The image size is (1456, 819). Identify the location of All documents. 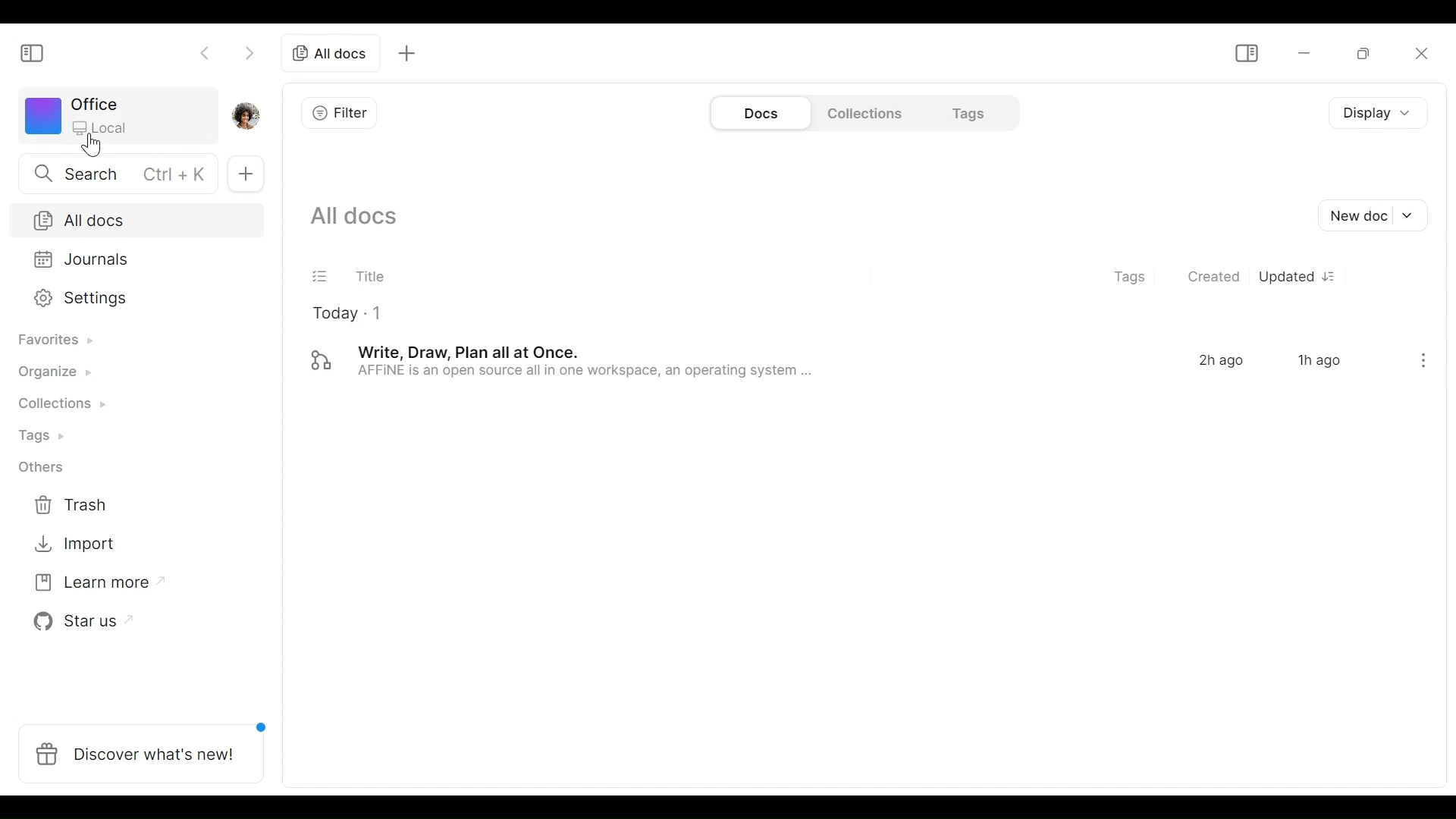
(135, 218).